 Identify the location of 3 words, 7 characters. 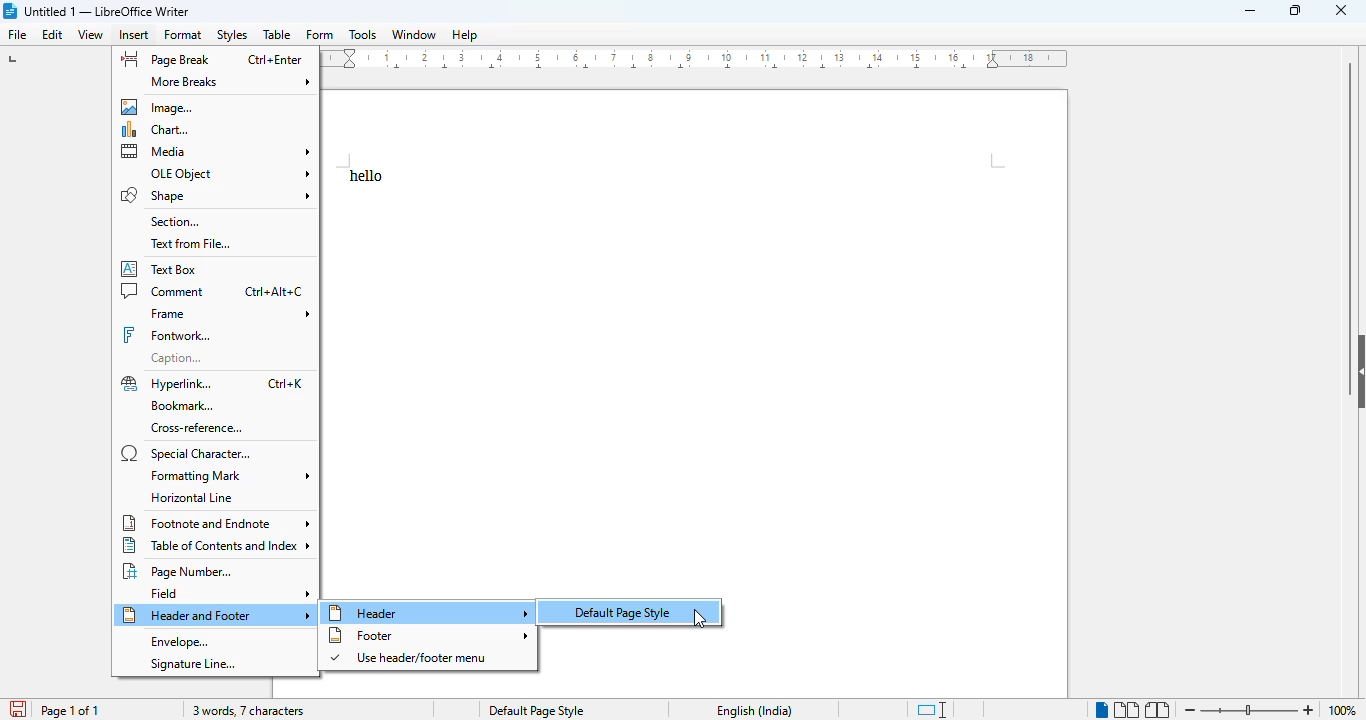
(245, 711).